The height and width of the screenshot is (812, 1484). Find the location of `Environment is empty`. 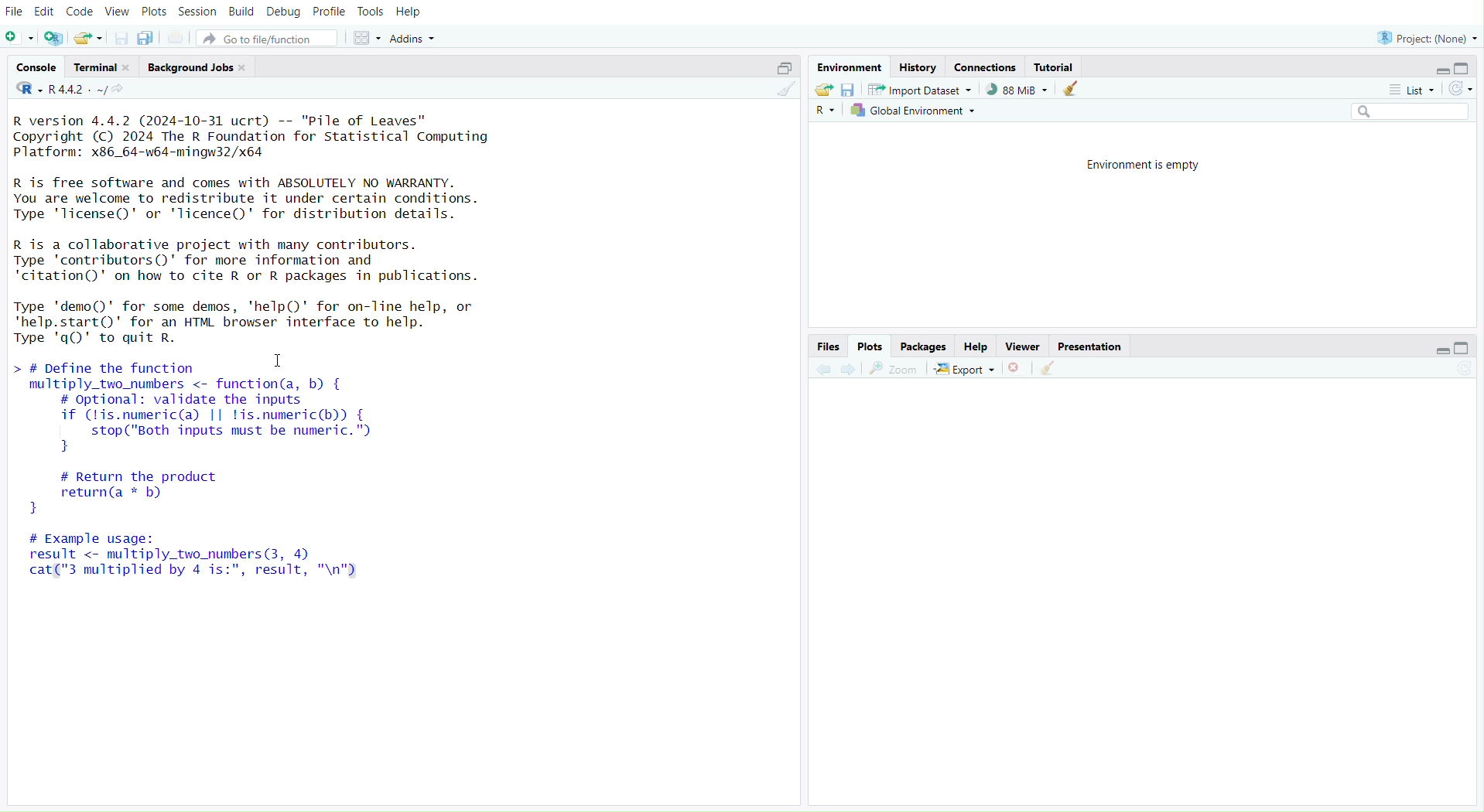

Environment is empty is located at coordinates (1149, 165).